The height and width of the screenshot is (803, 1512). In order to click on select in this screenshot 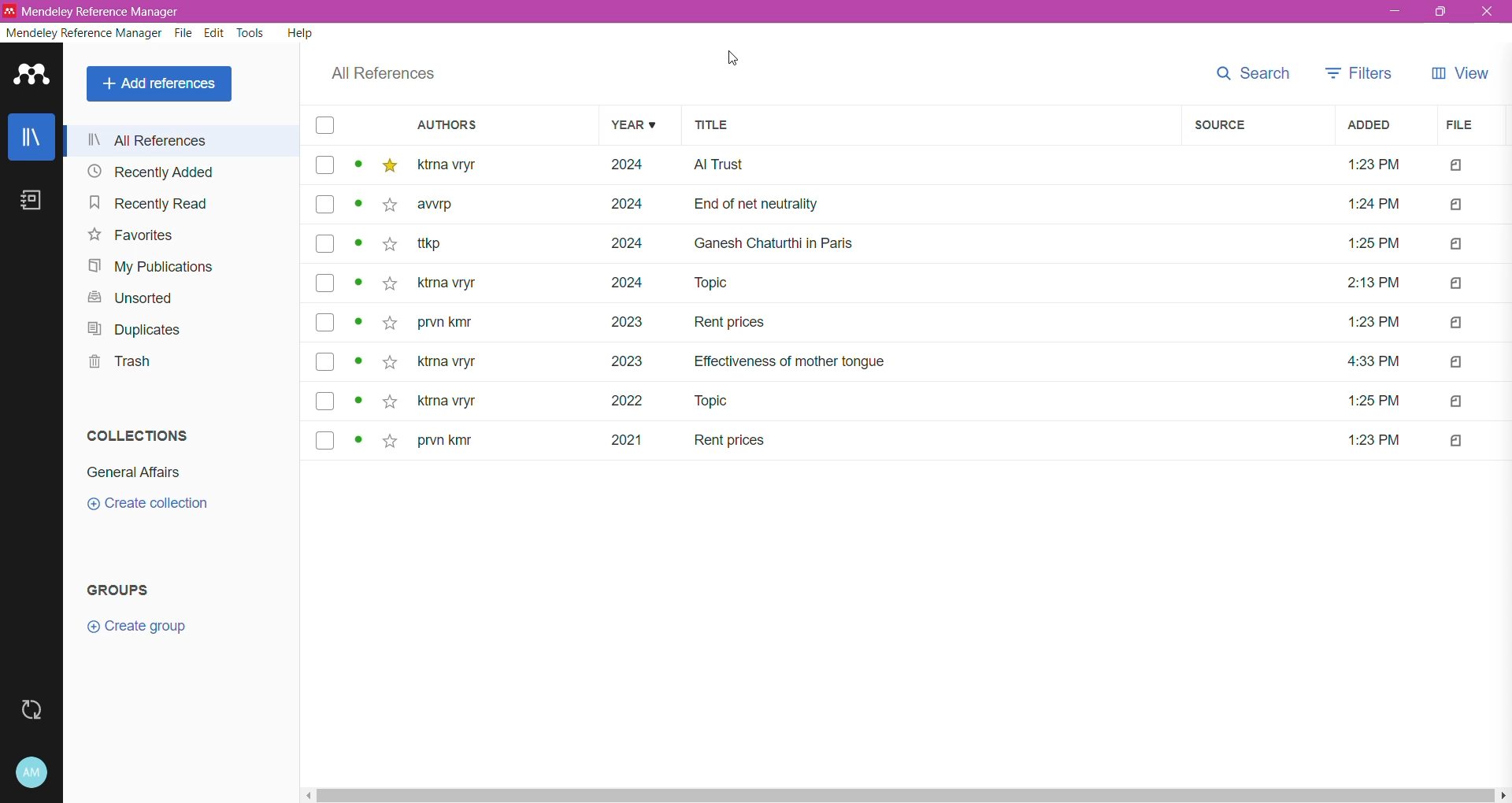, I will do `click(325, 243)`.